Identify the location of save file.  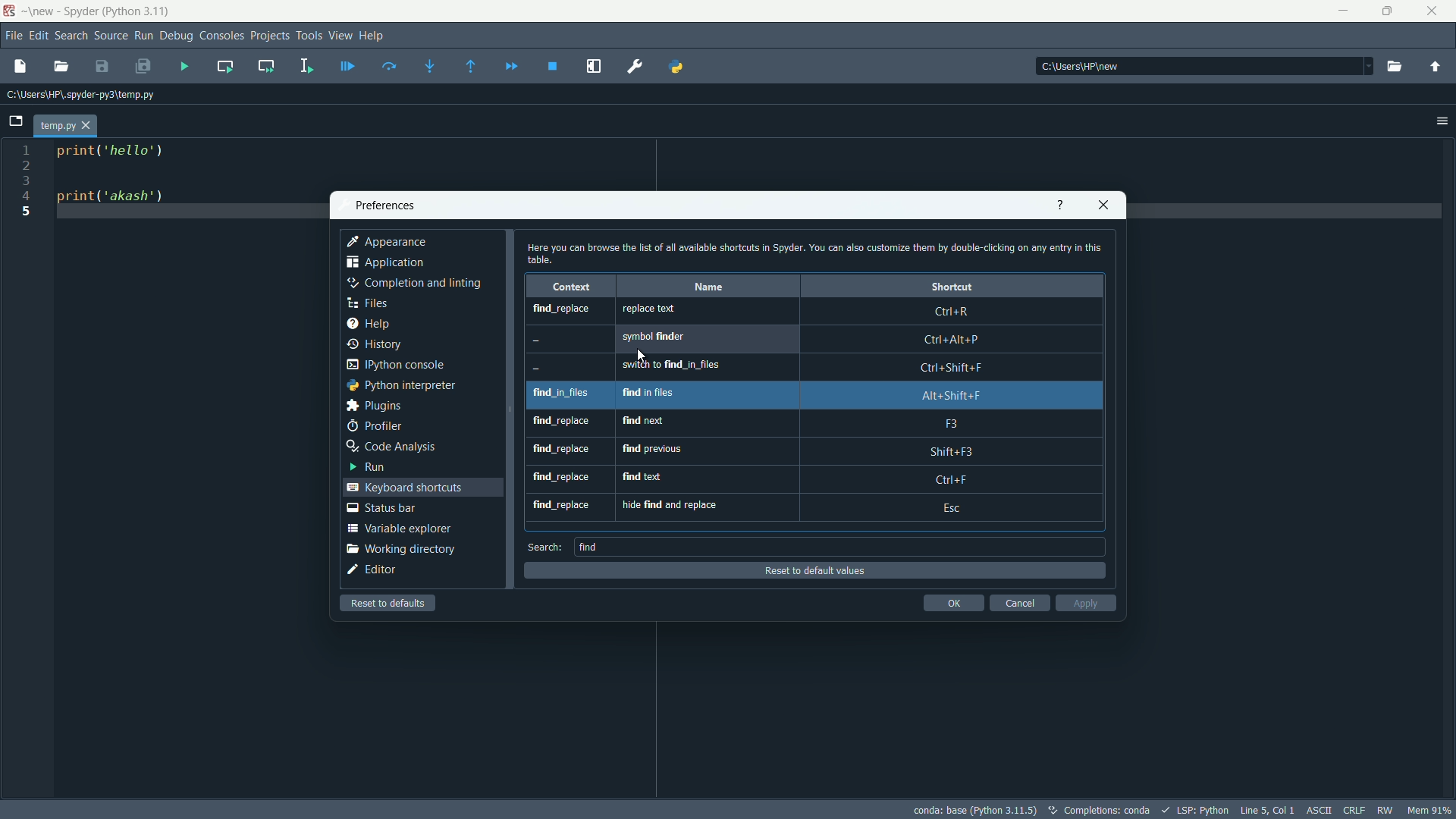
(103, 67).